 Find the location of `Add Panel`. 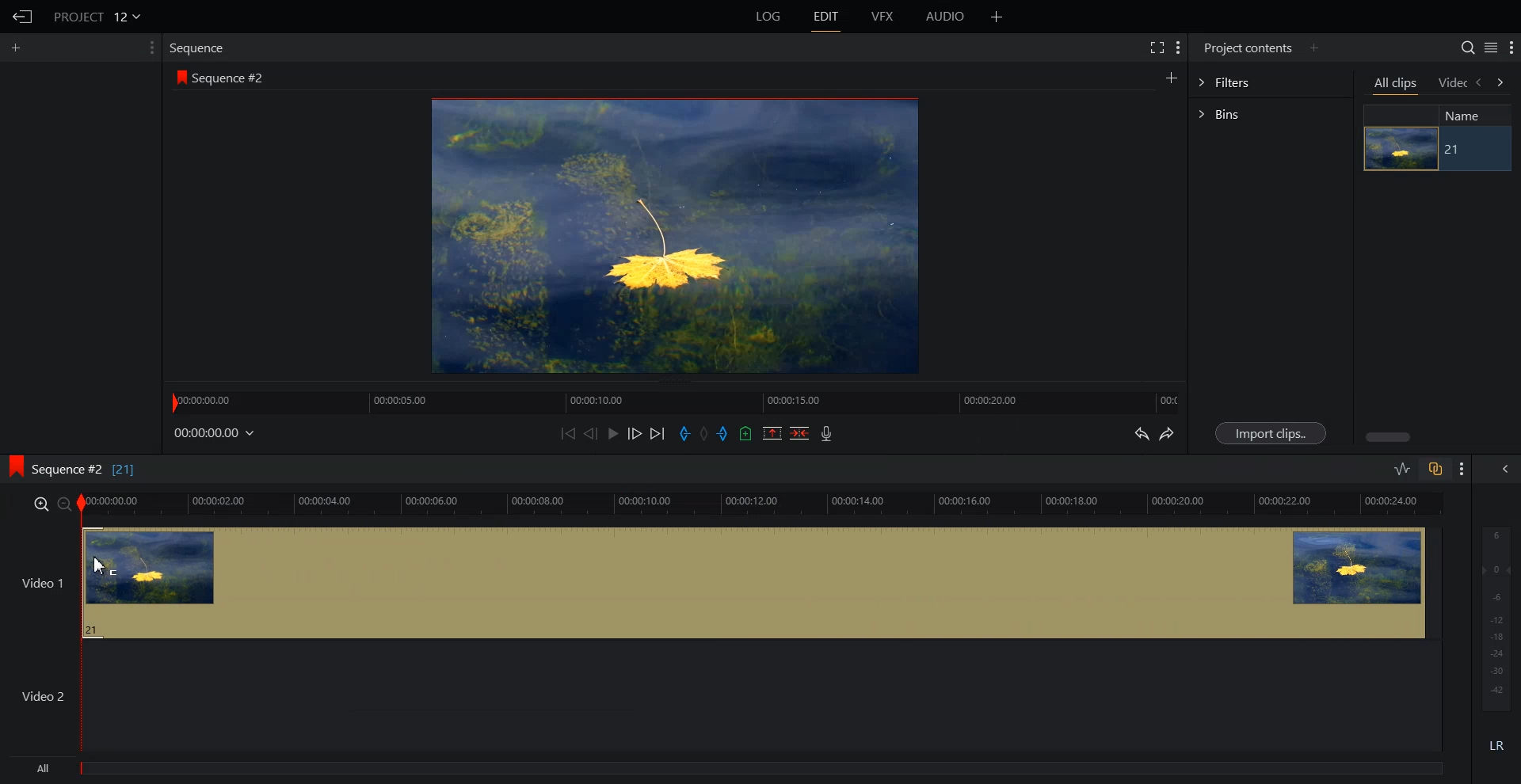

Add Panel is located at coordinates (19, 47).